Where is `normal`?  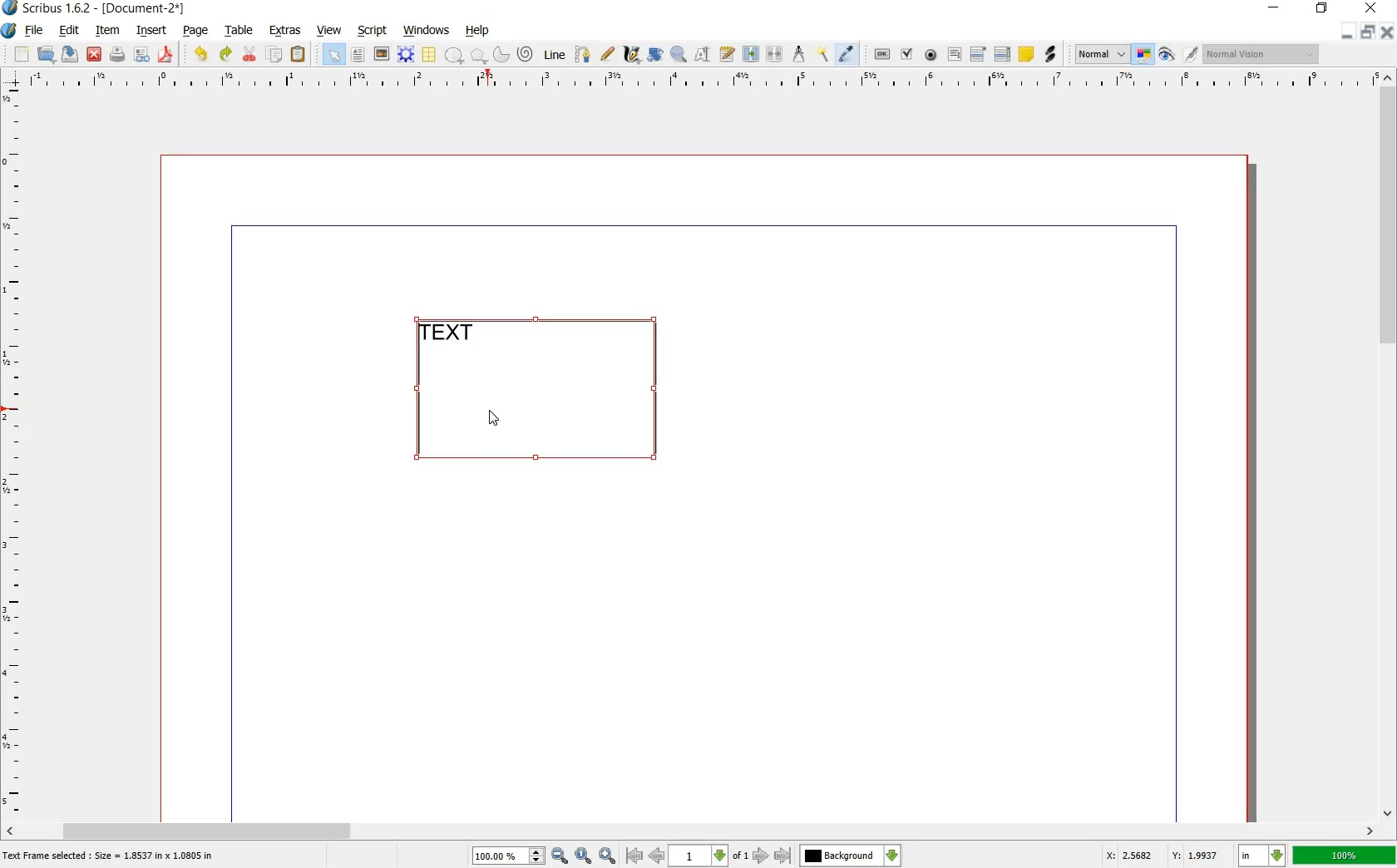
normal is located at coordinates (1102, 55).